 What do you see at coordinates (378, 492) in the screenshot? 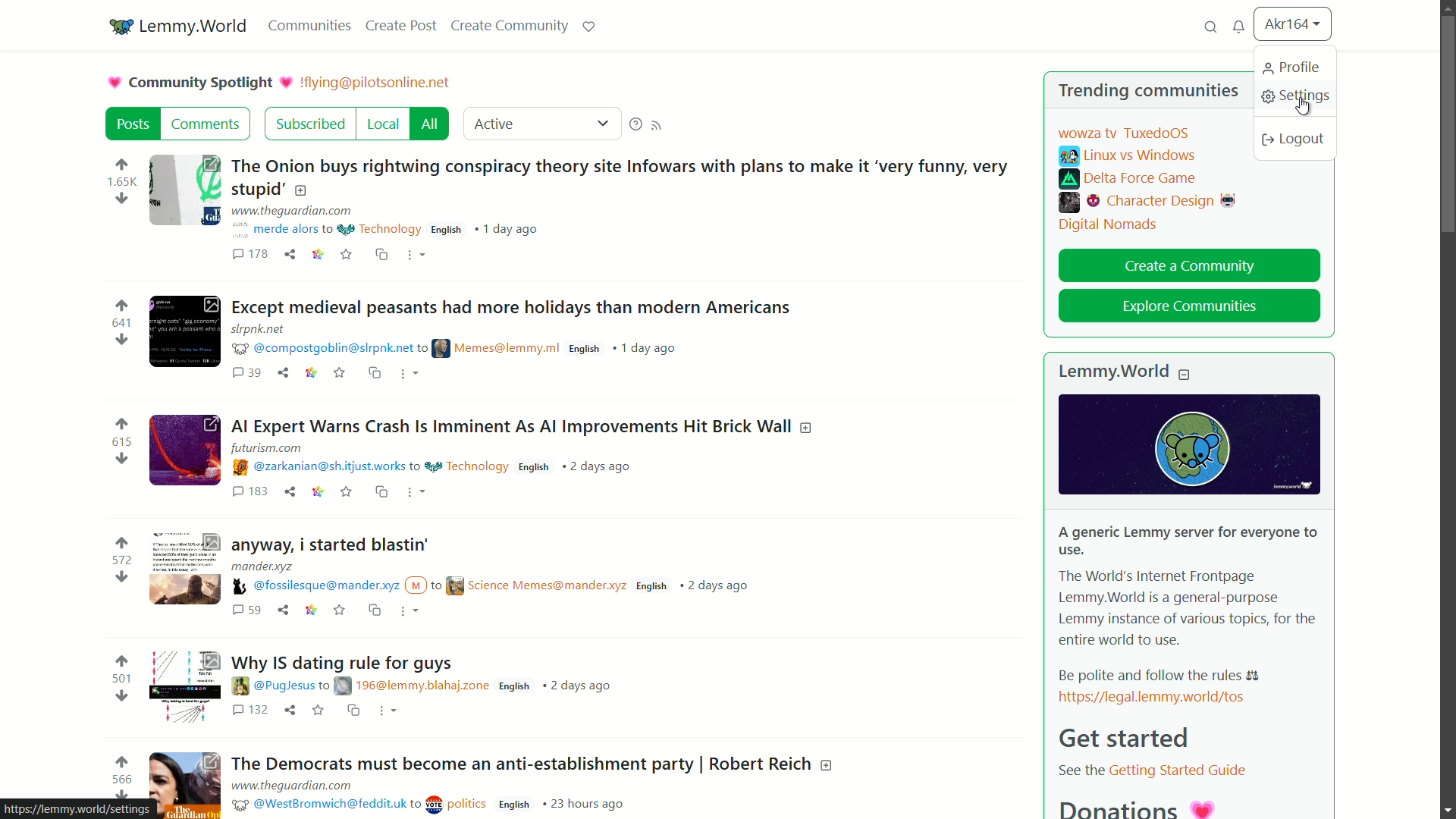
I see `cs` at bounding box center [378, 492].